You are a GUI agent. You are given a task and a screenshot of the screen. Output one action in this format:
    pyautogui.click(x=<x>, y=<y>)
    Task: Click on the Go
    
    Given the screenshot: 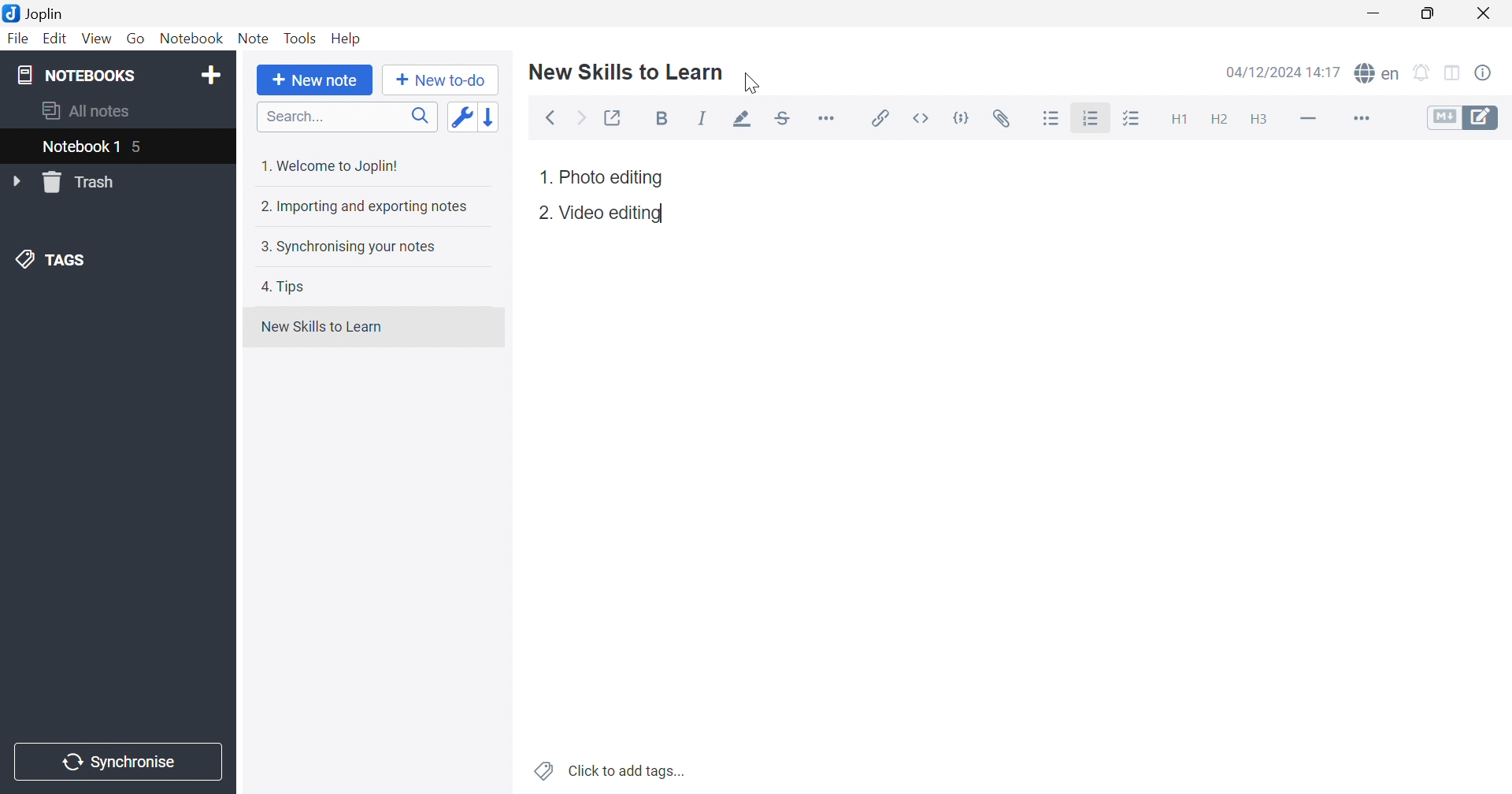 What is the action you would take?
    pyautogui.click(x=135, y=39)
    